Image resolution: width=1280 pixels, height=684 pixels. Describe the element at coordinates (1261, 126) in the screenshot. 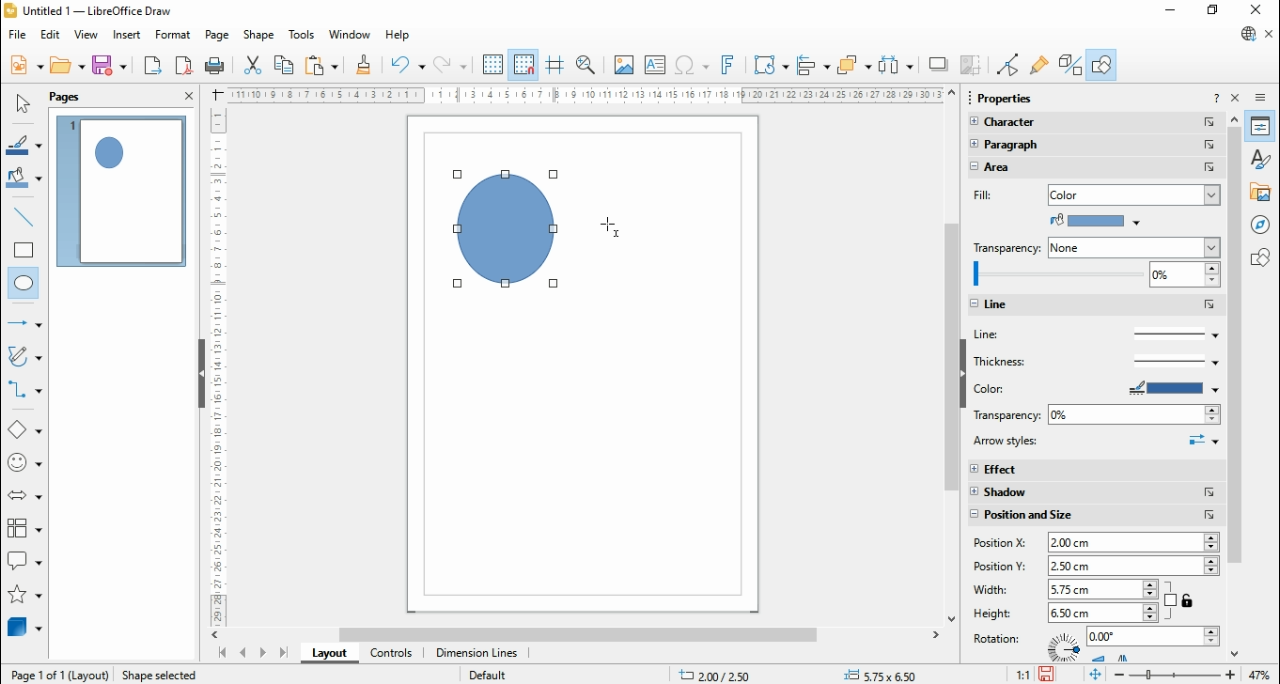

I see `properties` at that location.